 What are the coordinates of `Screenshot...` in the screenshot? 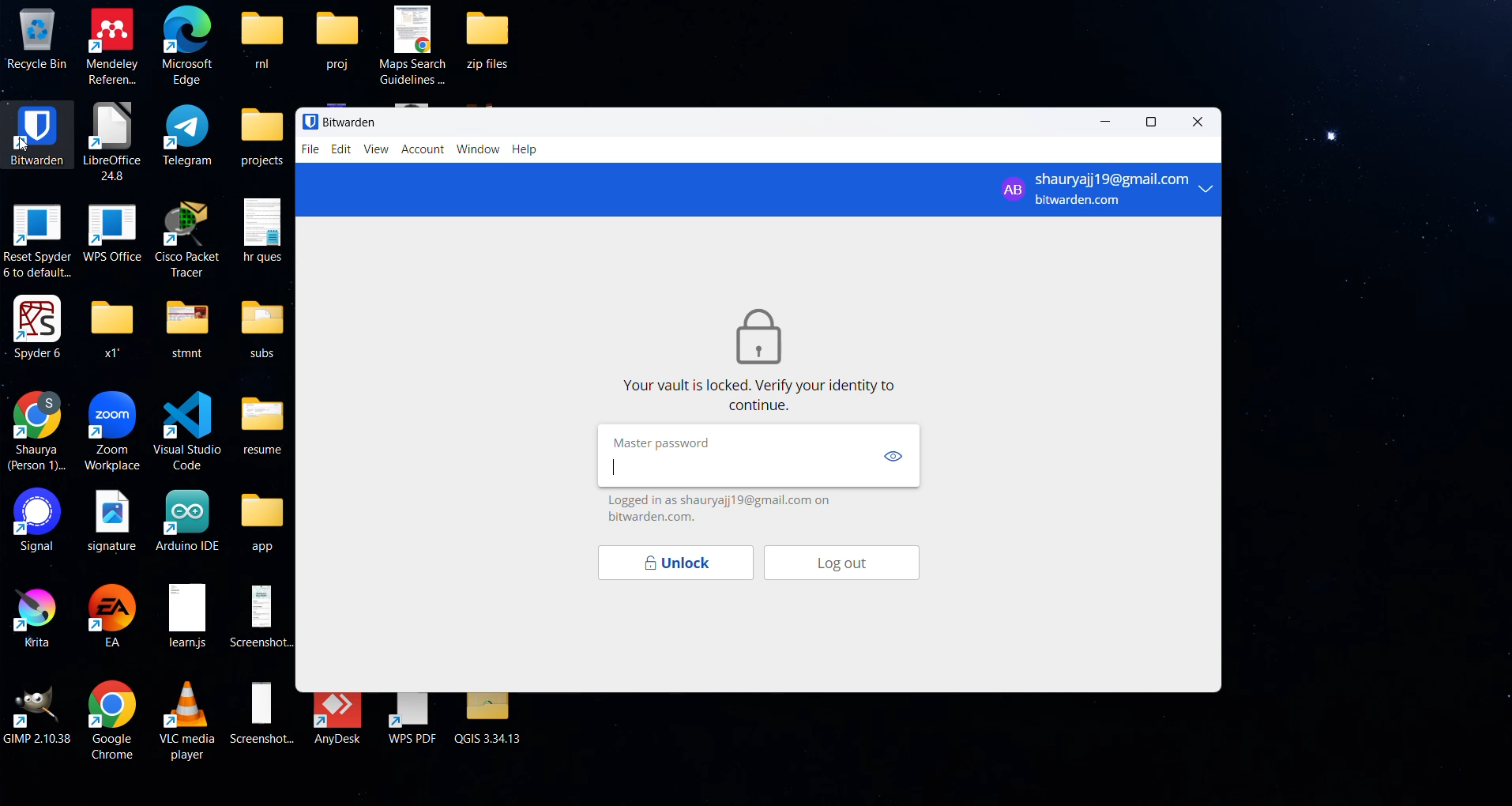 It's located at (262, 713).